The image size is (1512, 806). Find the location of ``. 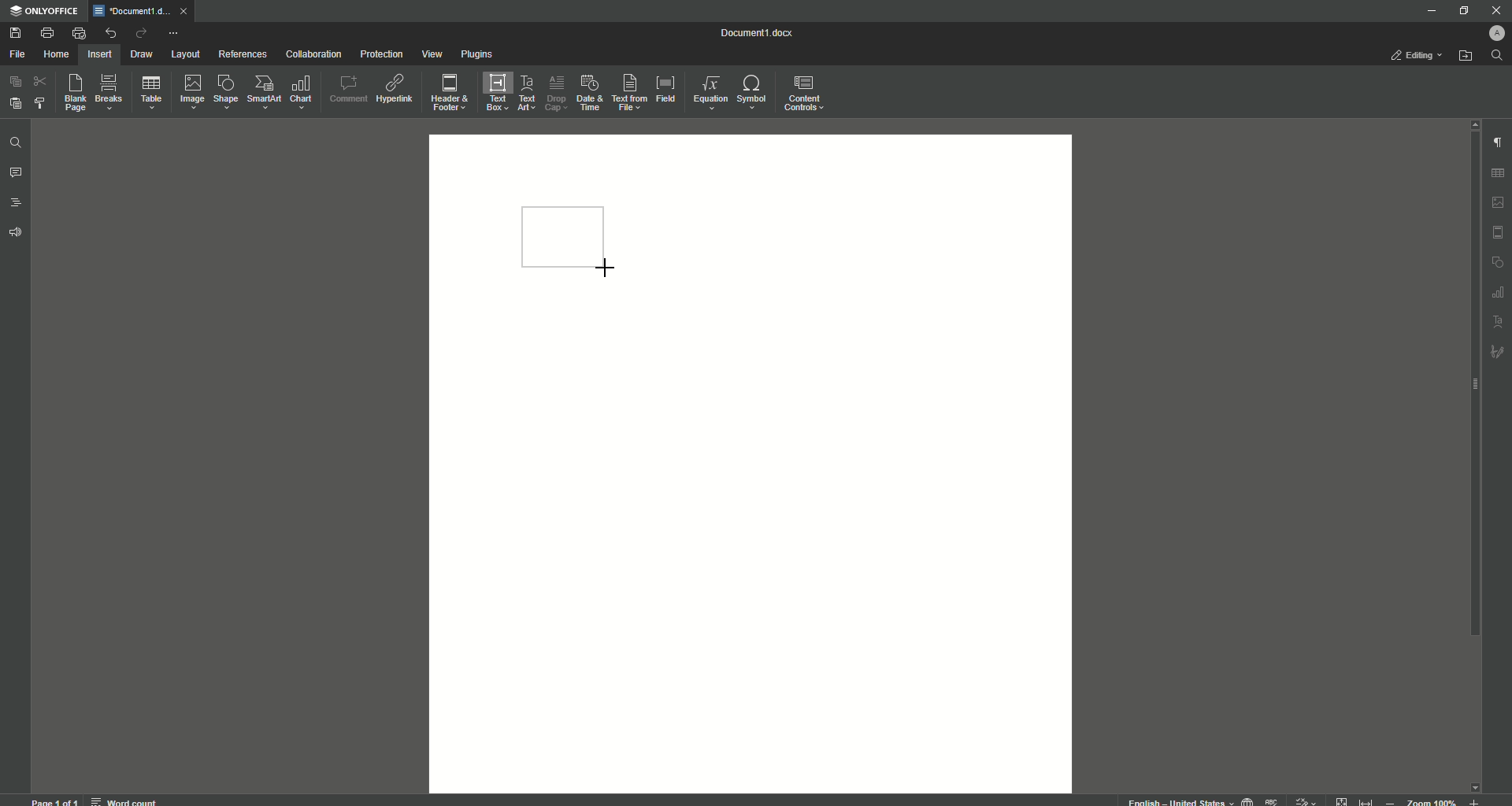

 is located at coordinates (381, 56).